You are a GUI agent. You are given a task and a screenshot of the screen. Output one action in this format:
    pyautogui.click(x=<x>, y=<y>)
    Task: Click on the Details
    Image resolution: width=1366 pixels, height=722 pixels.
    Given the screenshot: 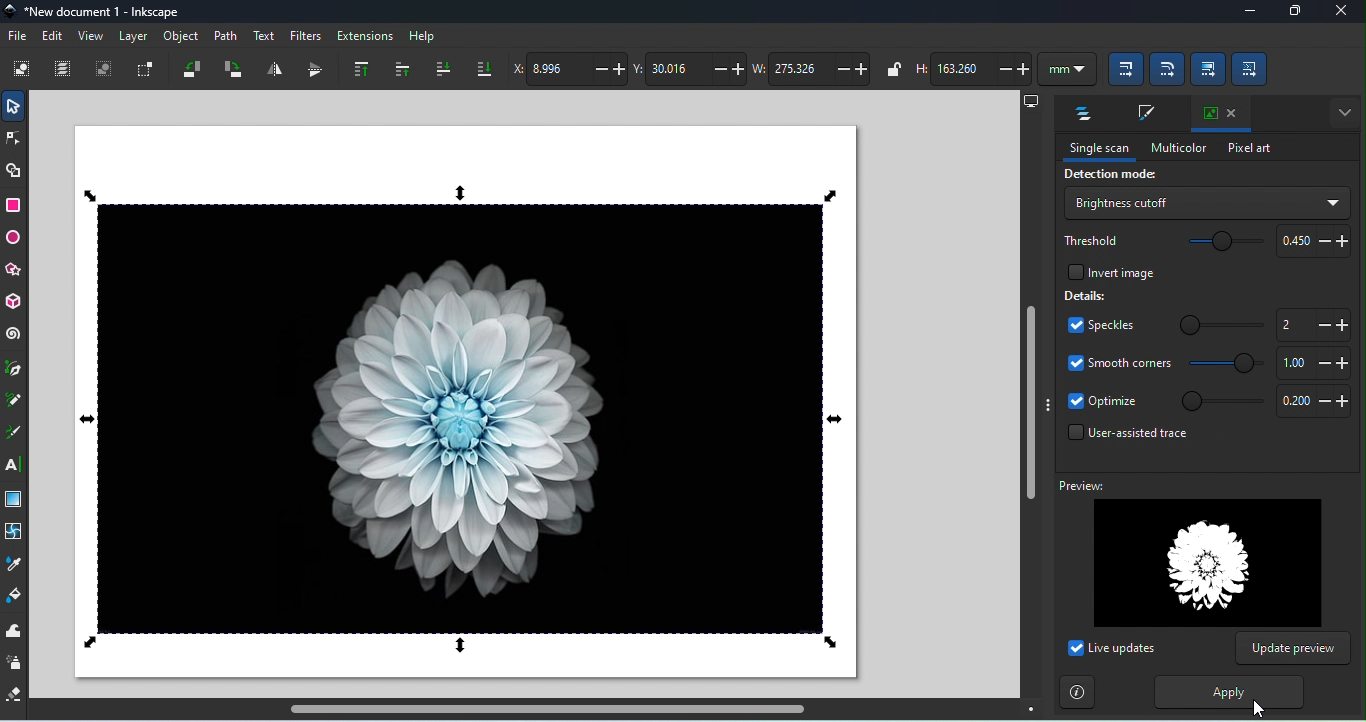 What is the action you would take?
    pyautogui.click(x=1086, y=297)
    